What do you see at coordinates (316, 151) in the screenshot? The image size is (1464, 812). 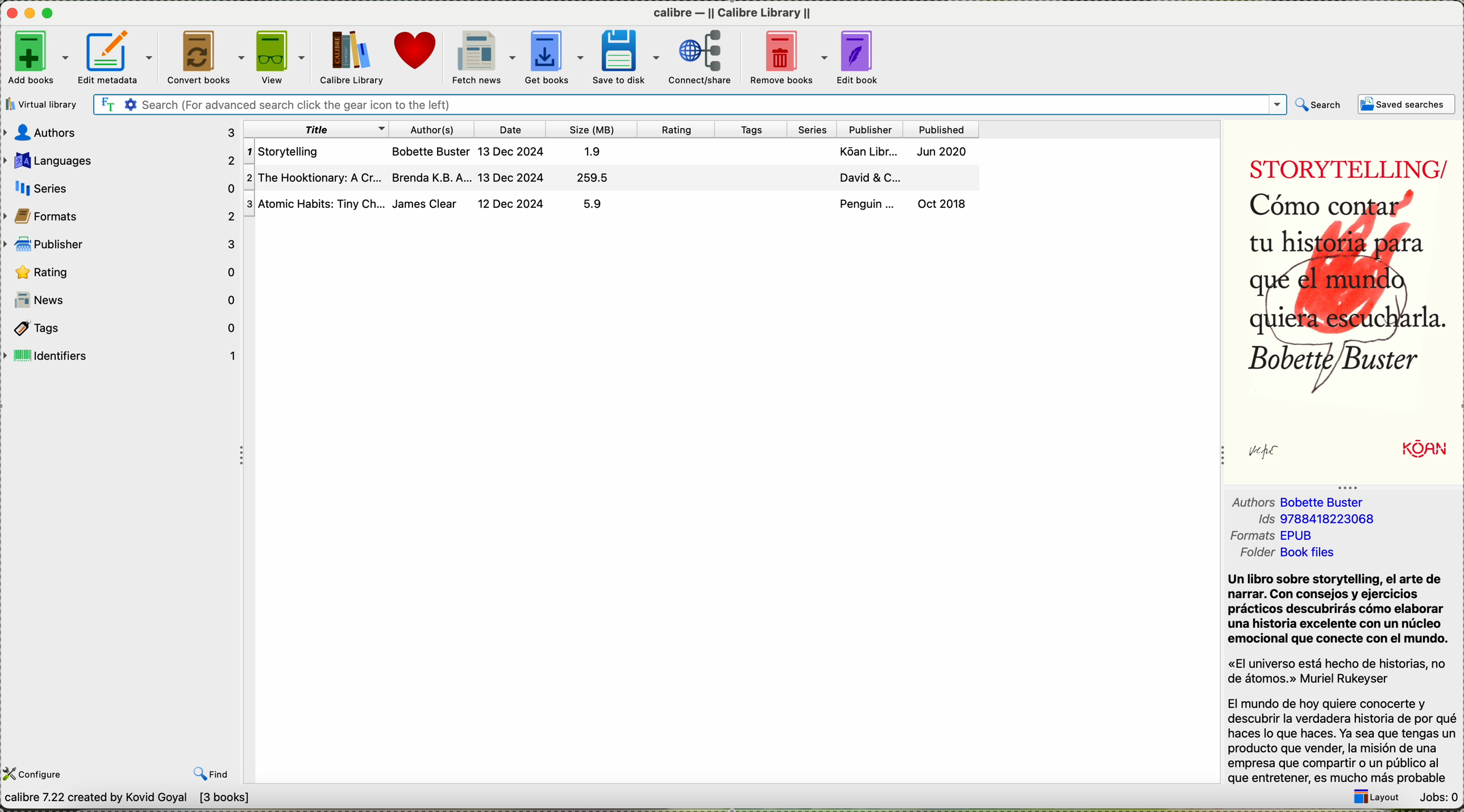 I see `Storytelling` at bounding box center [316, 151].